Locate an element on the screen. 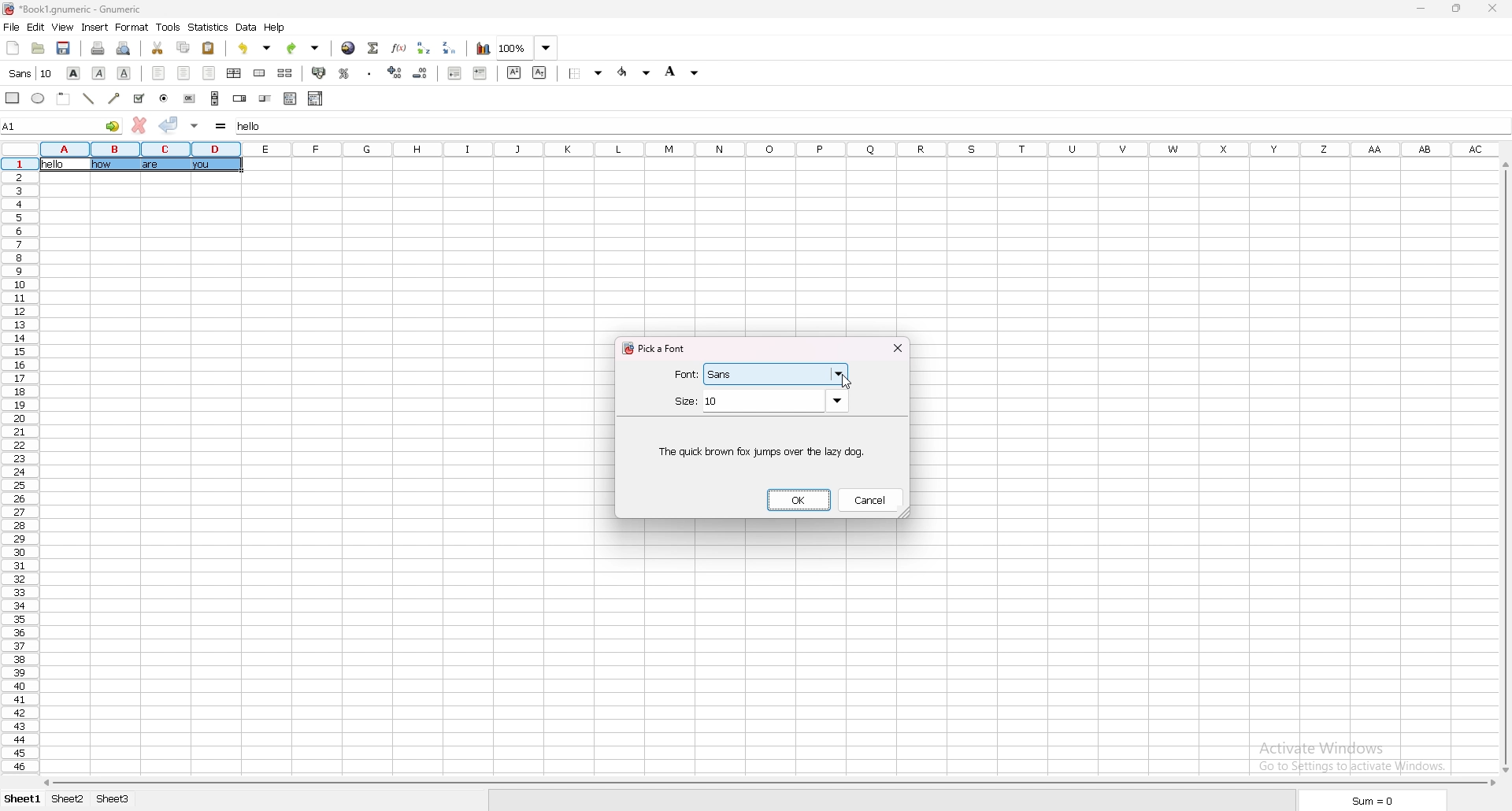  sort descending is located at coordinates (452, 48).